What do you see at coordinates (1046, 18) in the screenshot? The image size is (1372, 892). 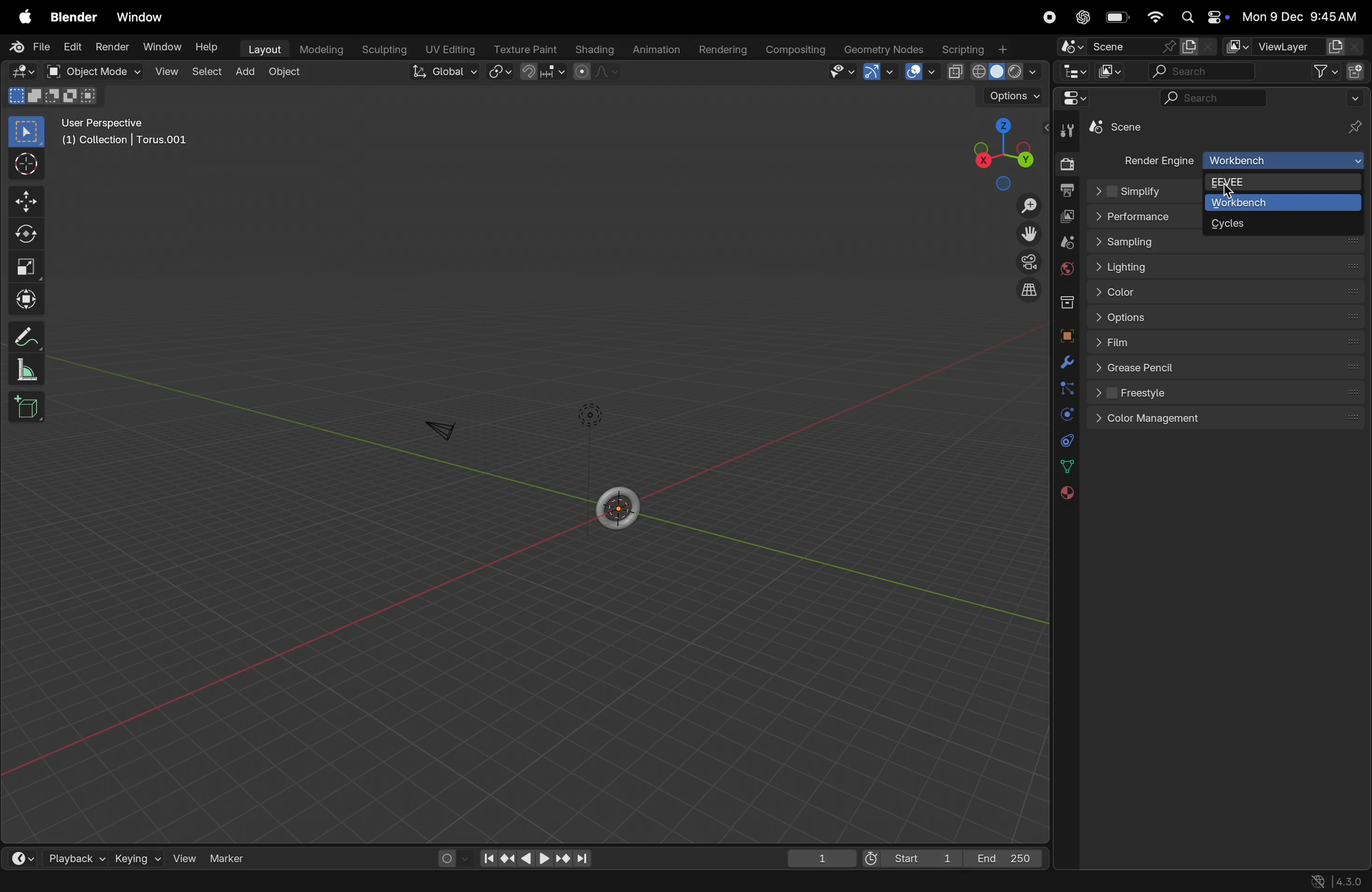 I see `record` at bounding box center [1046, 18].